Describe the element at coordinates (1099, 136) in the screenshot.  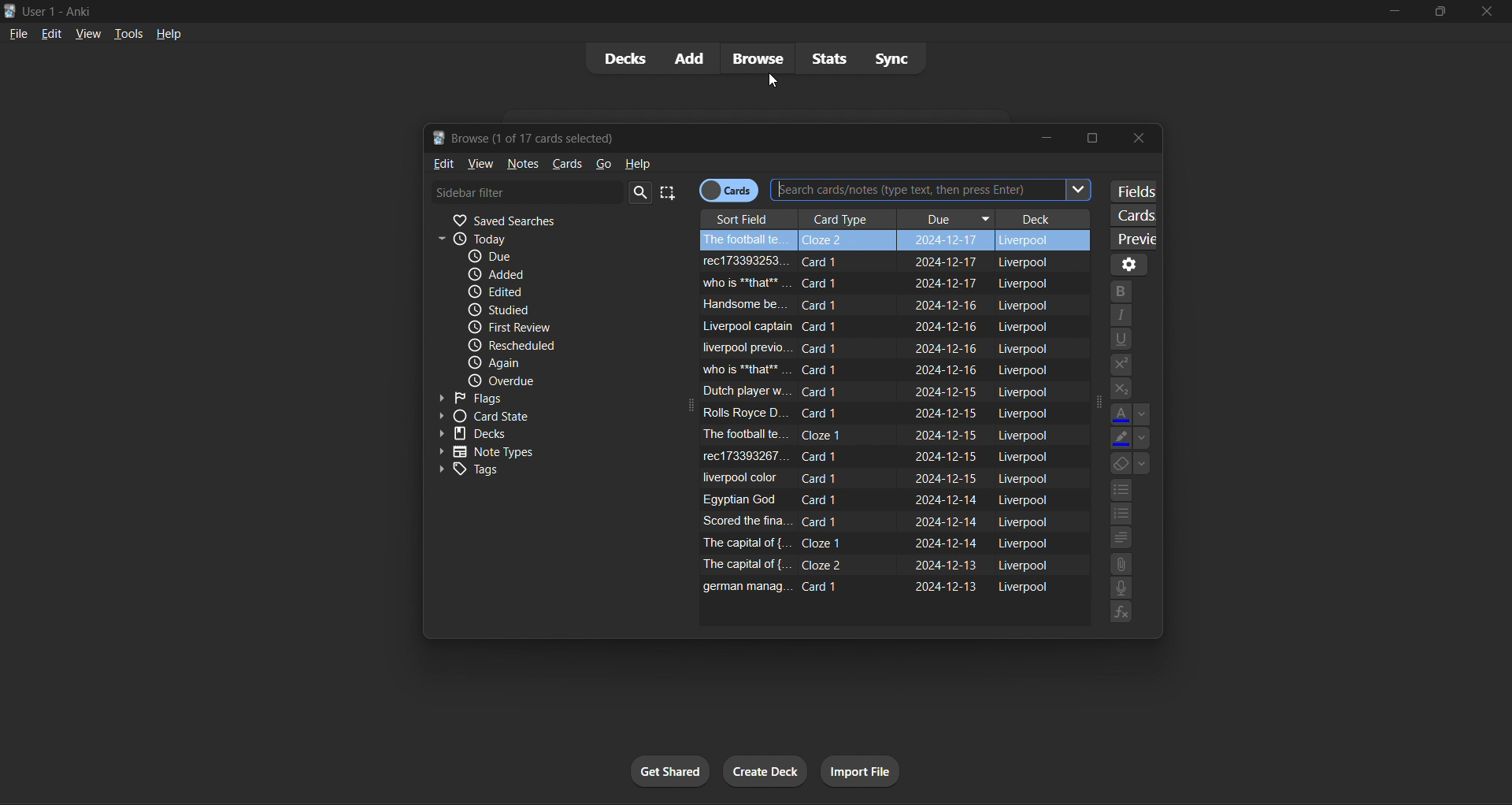
I see `` at that location.